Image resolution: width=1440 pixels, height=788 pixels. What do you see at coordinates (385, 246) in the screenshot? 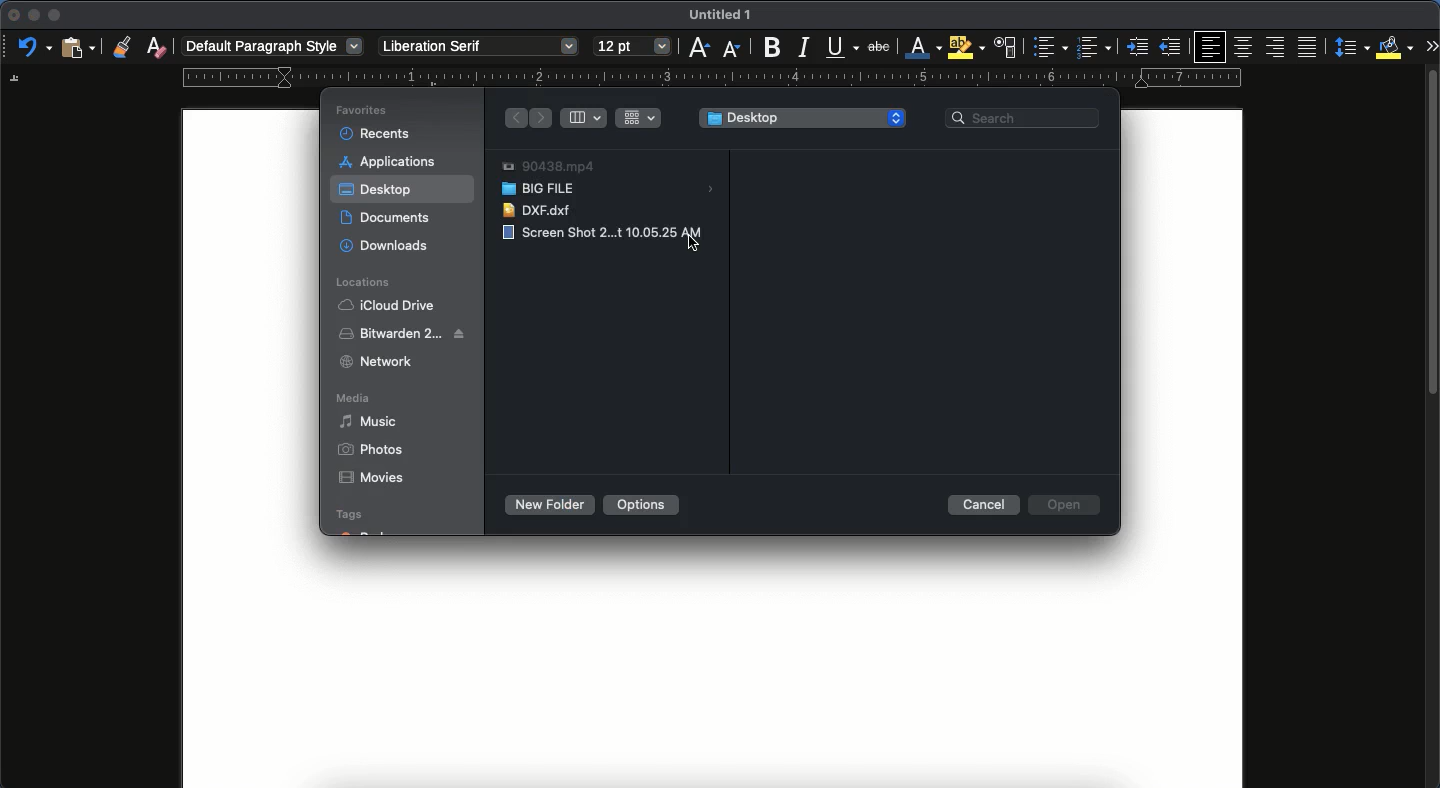
I see `downloads ` at bounding box center [385, 246].